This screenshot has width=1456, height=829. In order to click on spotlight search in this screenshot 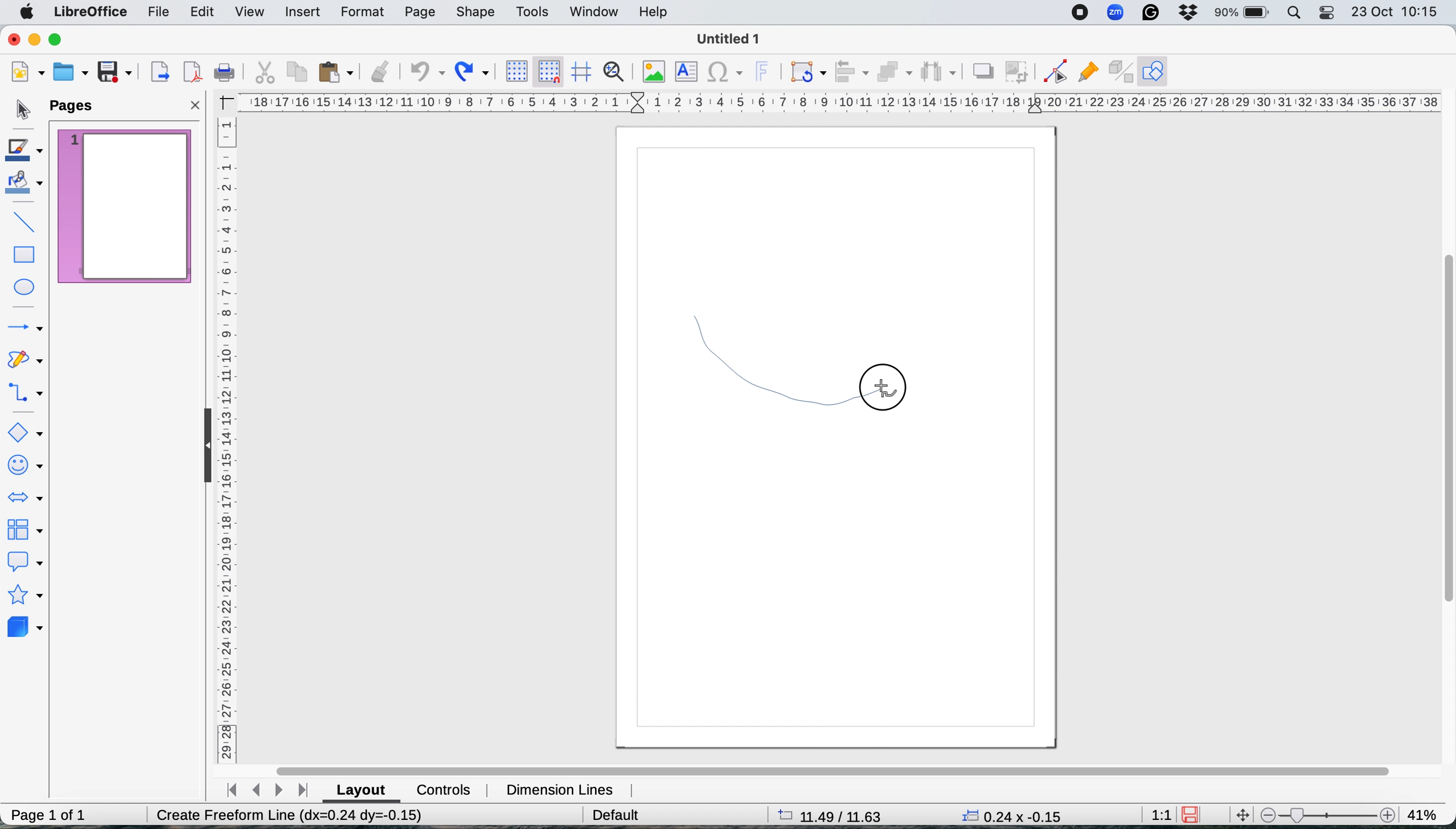, I will do `click(1297, 12)`.